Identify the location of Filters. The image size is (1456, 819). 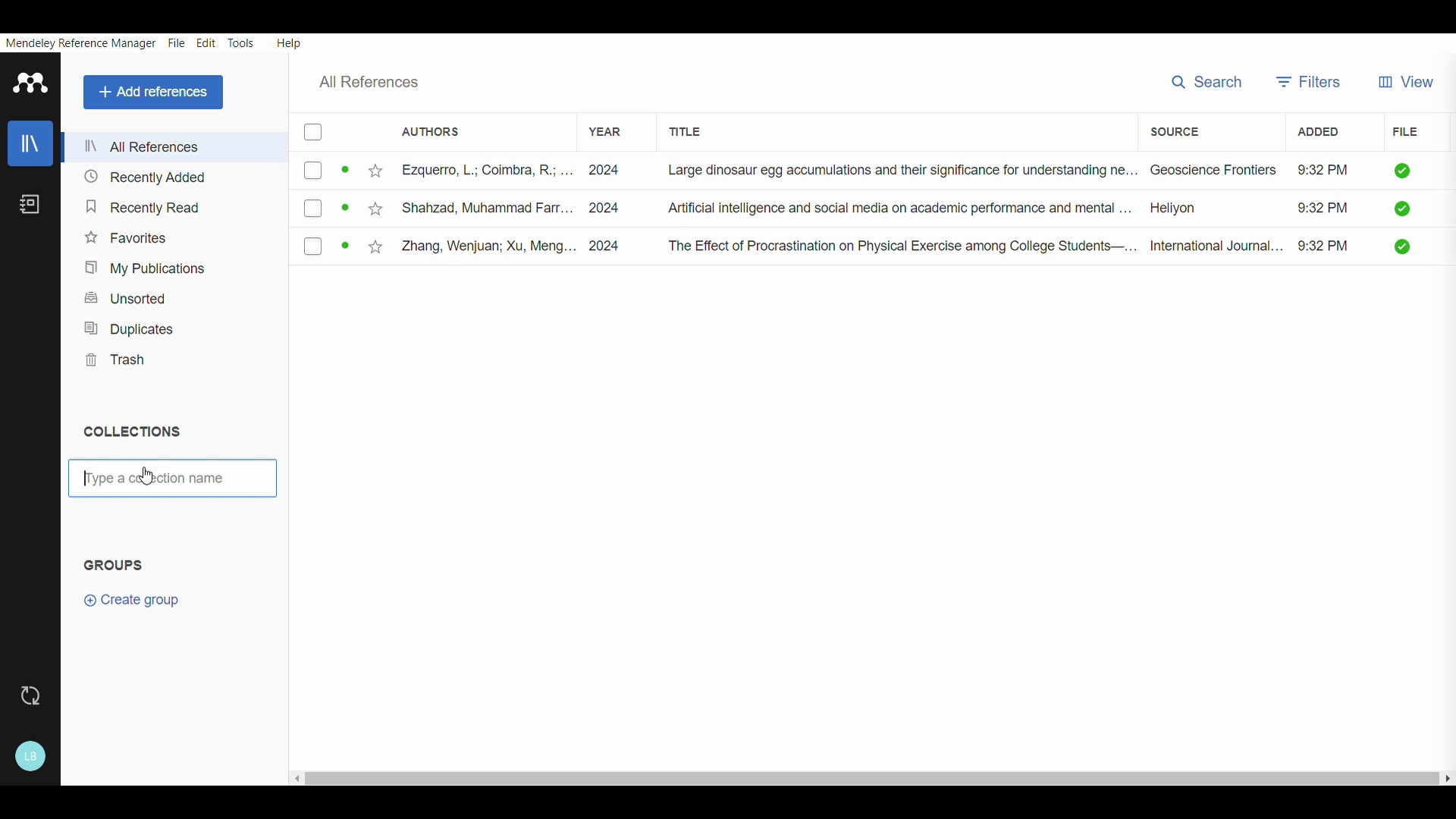
(1310, 78).